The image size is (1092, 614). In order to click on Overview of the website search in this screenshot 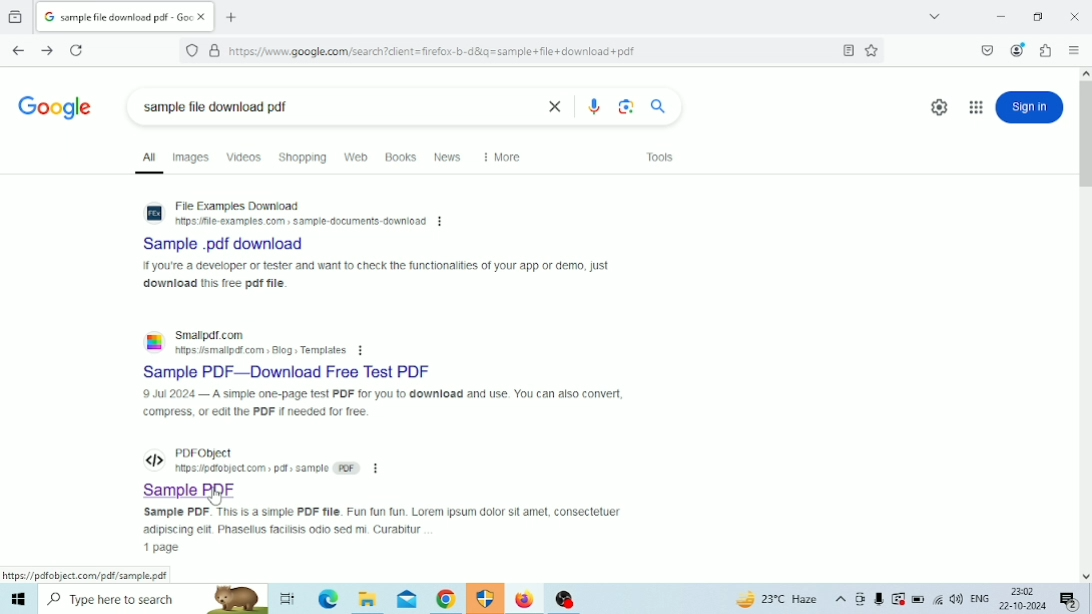, I will do `click(385, 520)`.